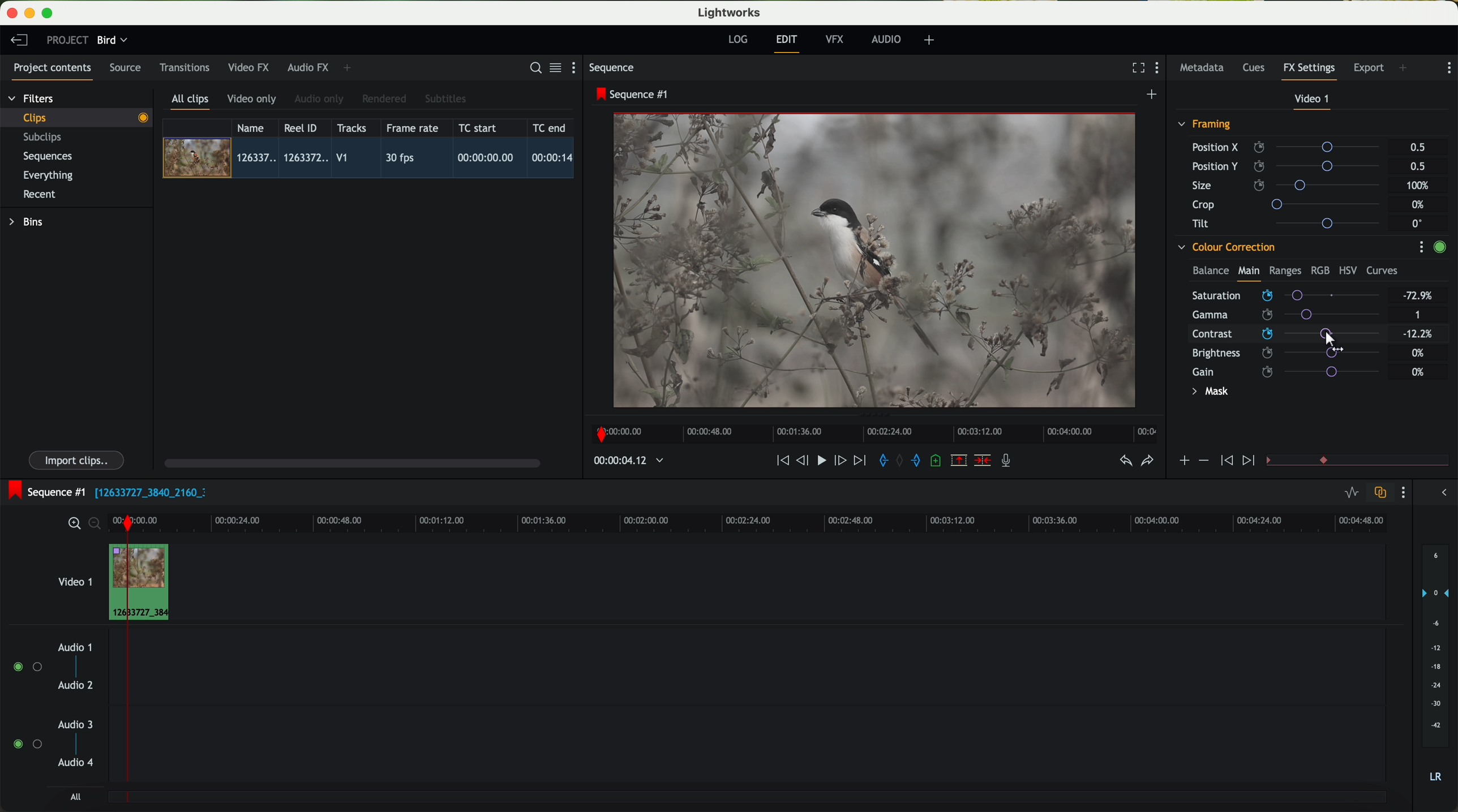 Image resolution: width=1458 pixels, height=812 pixels. Describe the element at coordinates (1290, 147) in the screenshot. I see `position X` at that location.